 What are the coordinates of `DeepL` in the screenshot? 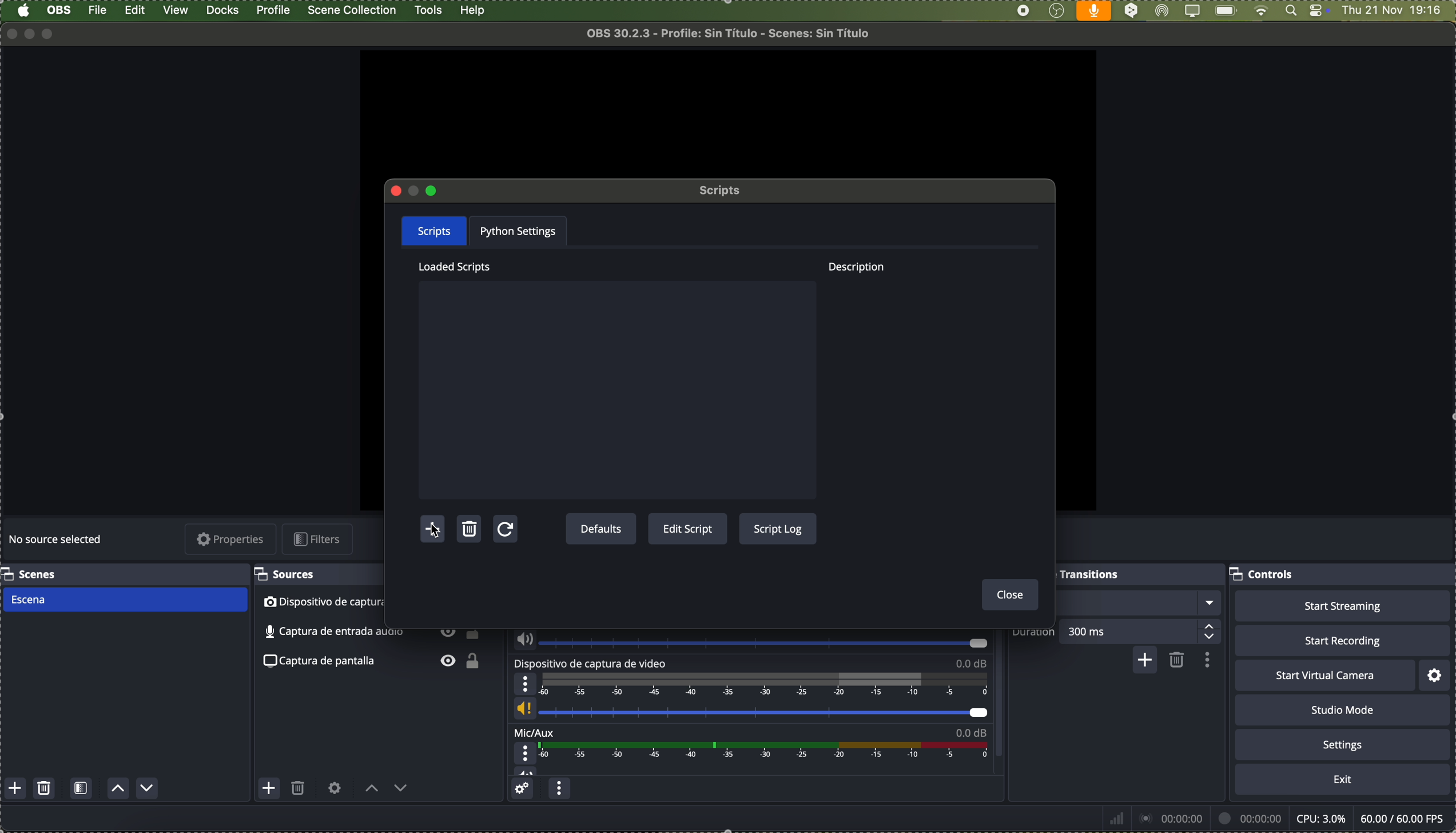 It's located at (1132, 11).